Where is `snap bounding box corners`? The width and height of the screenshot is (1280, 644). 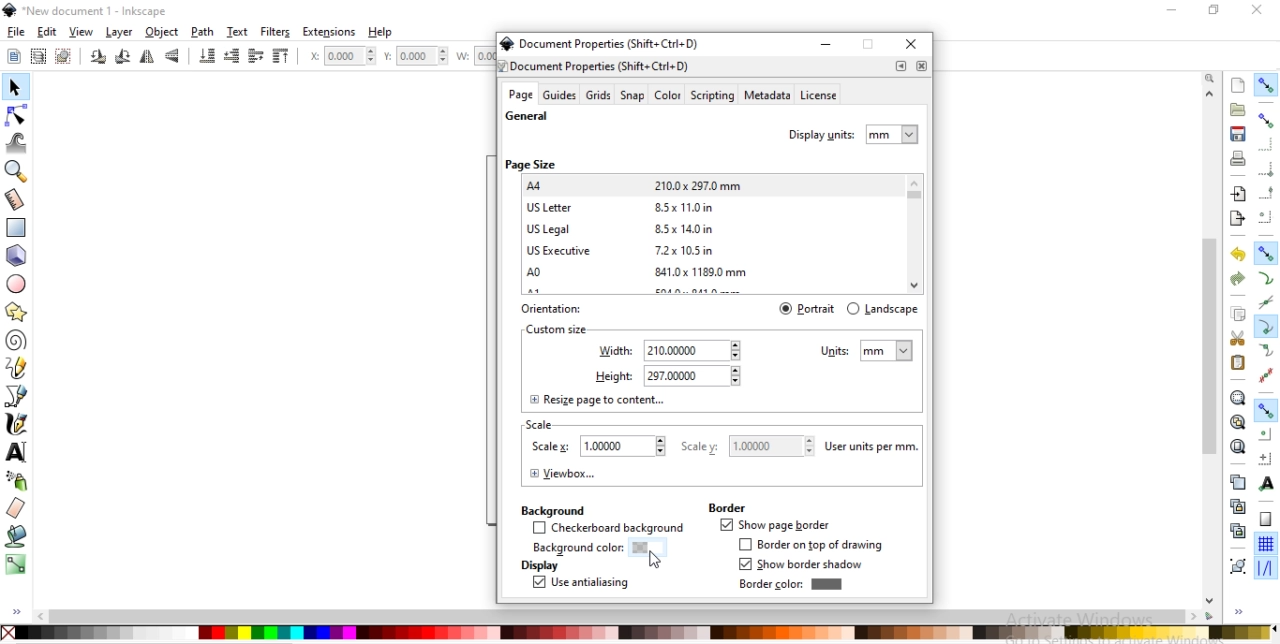
snap bounding box corners is located at coordinates (1266, 169).